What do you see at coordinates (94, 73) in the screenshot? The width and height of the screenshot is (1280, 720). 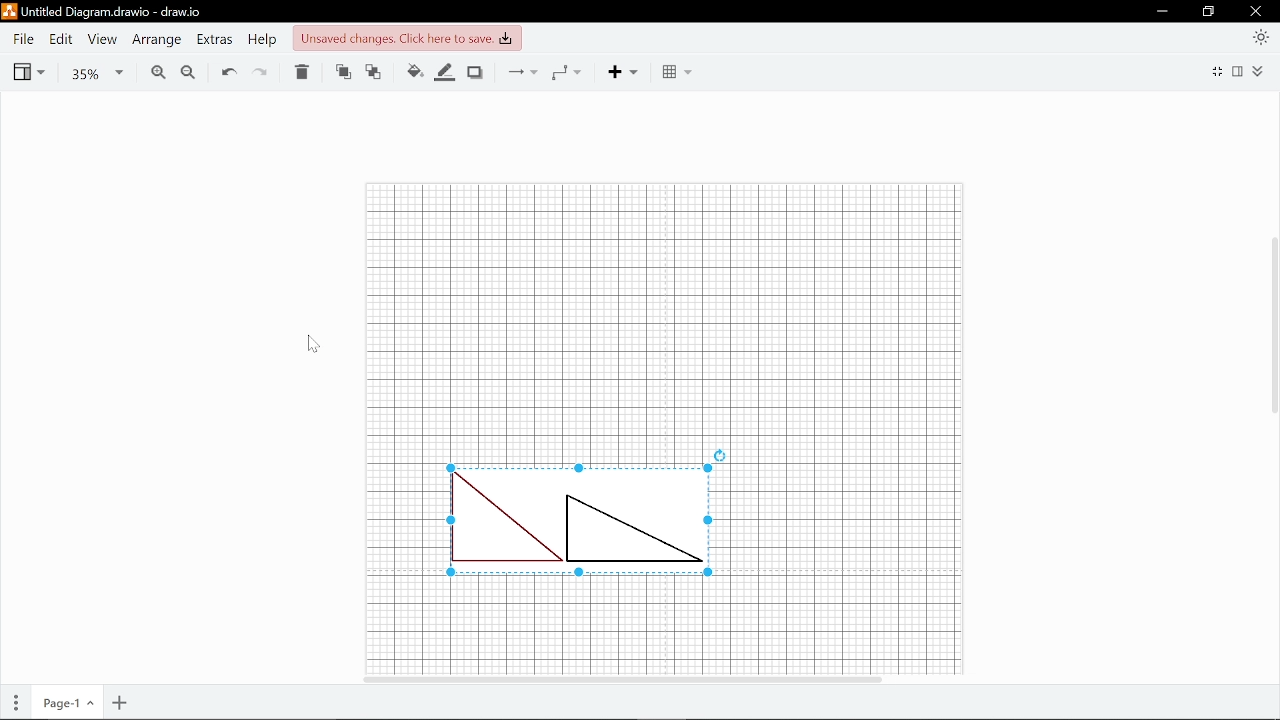 I see `Zoom` at bounding box center [94, 73].